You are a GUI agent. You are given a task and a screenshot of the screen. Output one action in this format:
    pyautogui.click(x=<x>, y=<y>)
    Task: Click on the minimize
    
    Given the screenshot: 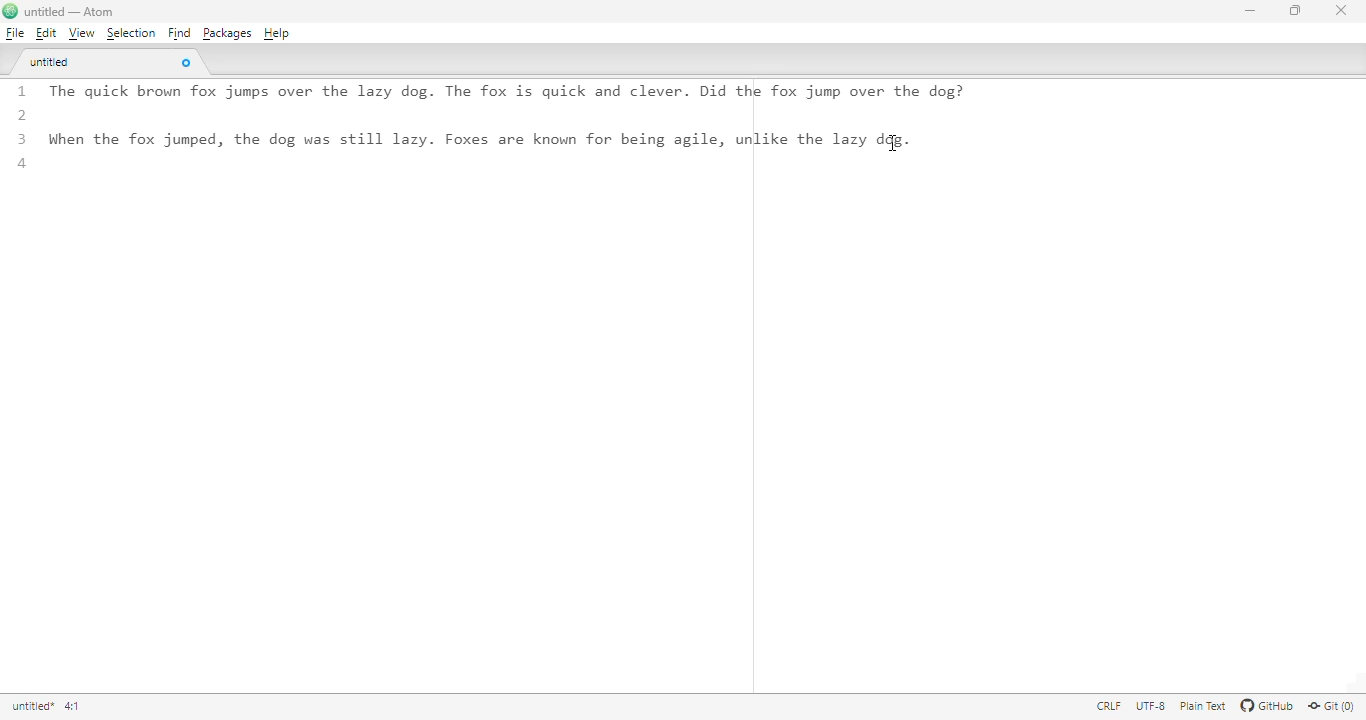 What is the action you would take?
    pyautogui.click(x=1249, y=11)
    